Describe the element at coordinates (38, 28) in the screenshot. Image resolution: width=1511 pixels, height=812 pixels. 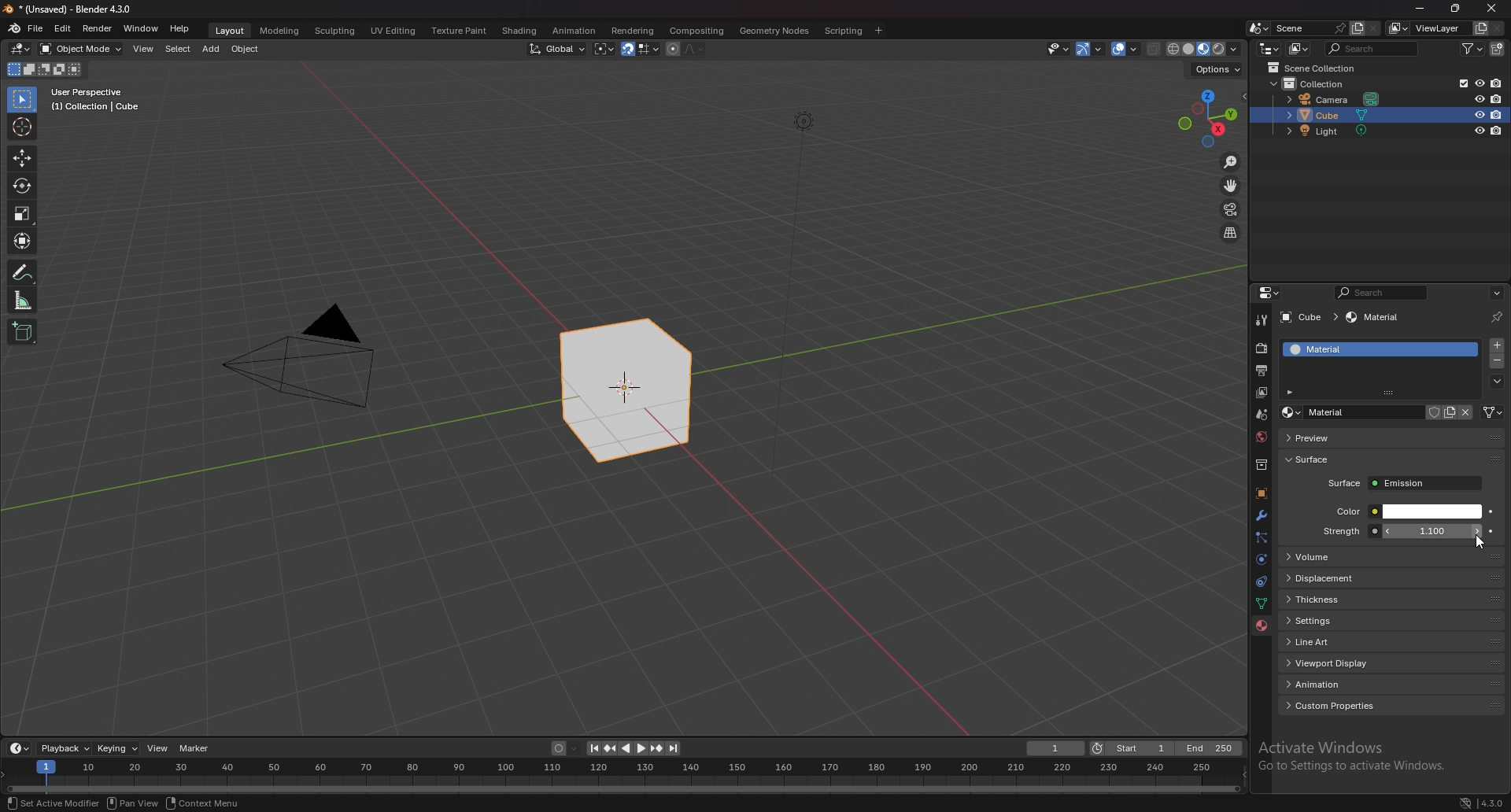
I see `file` at that location.